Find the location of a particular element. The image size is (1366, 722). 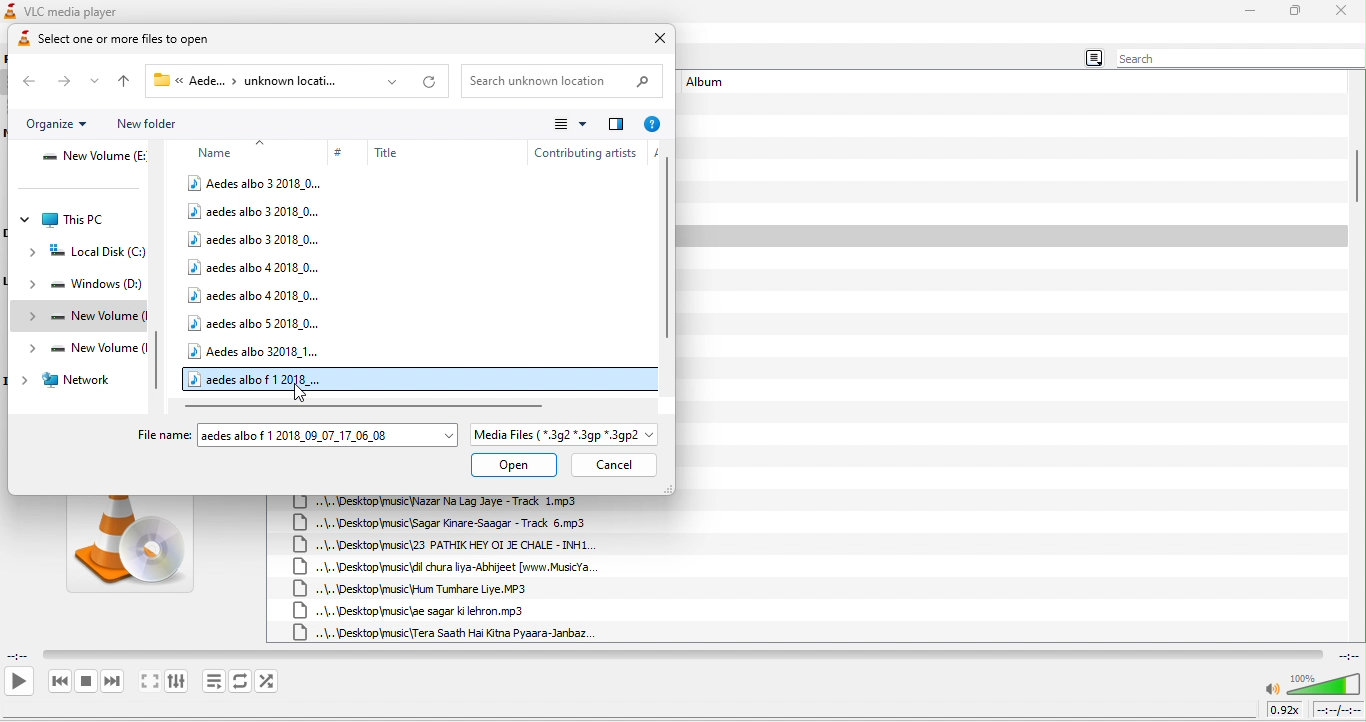

show extended settings is located at coordinates (176, 682).